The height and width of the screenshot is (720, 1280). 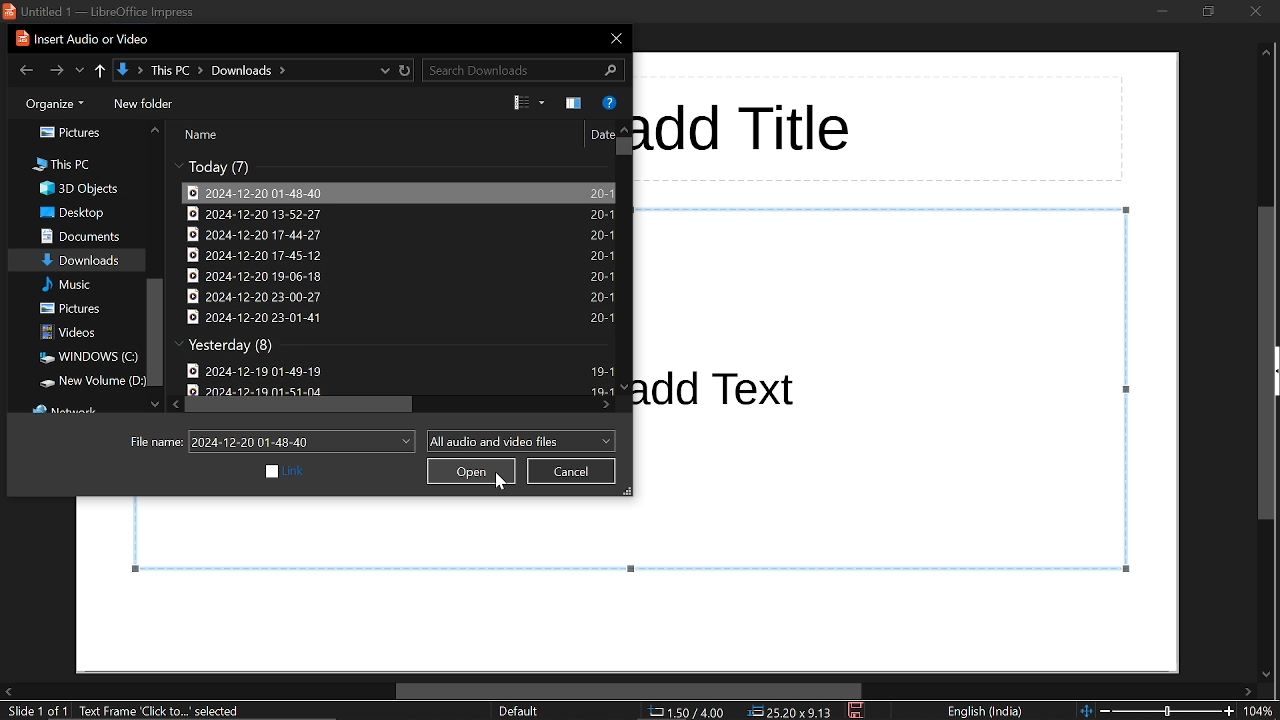 What do you see at coordinates (624, 148) in the screenshot?
I see `vertical scrollbars in files` at bounding box center [624, 148].